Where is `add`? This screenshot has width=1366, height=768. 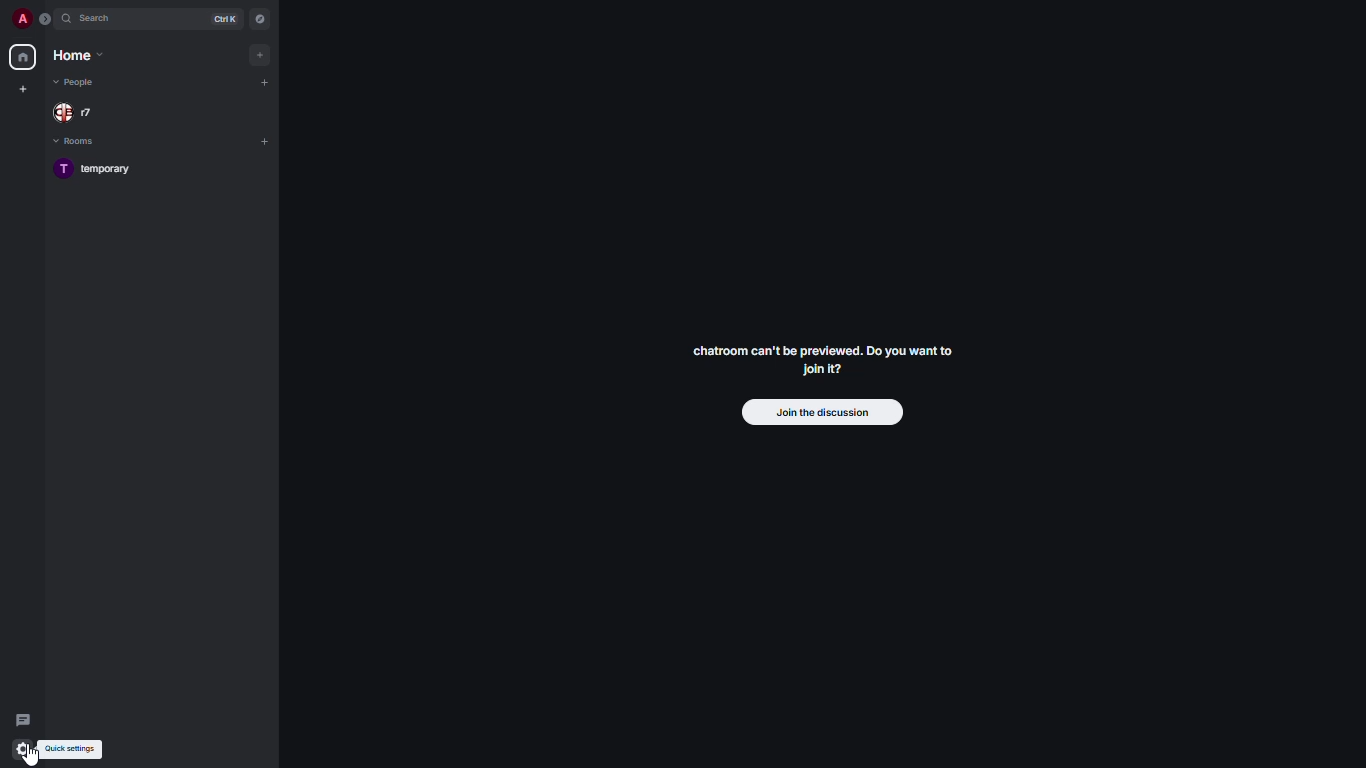 add is located at coordinates (265, 82).